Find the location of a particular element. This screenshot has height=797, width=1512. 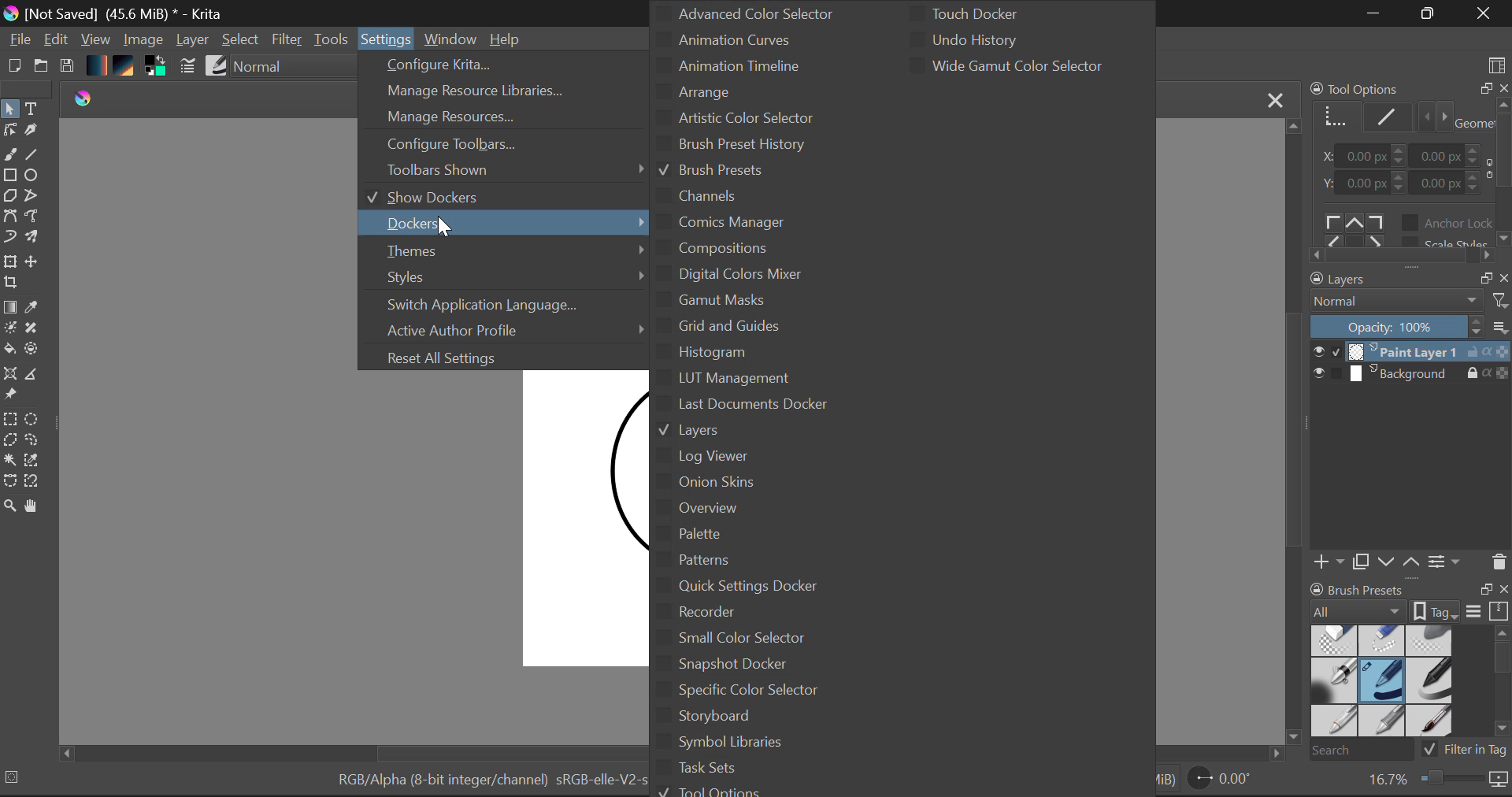

Restore Down is located at coordinates (1374, 14).